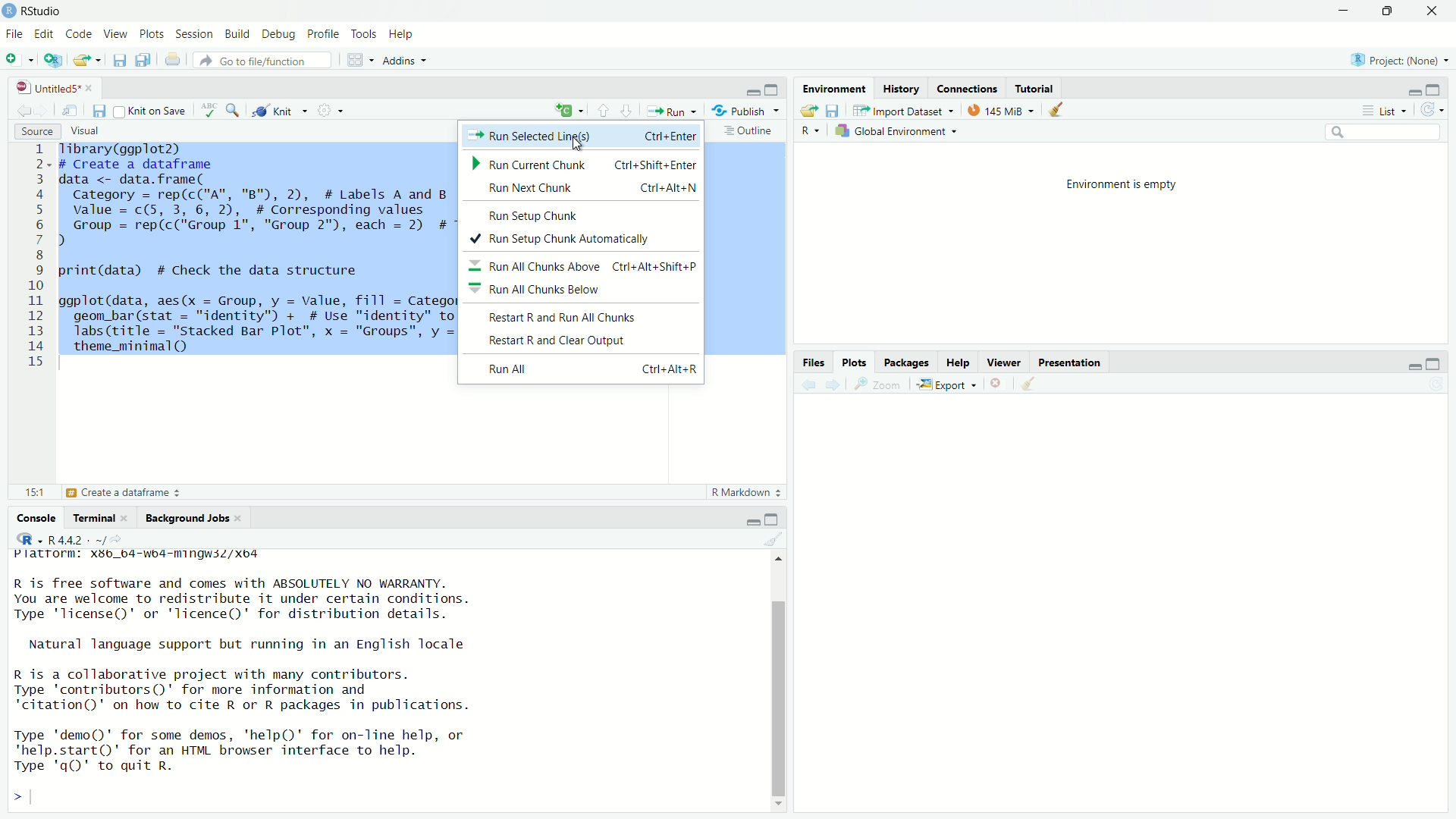 Image resolution: width=1456 pixels, height=819 pixels. Describe the element at coordinates (233, 108) in the screenshot. I see `Find/Replace` at that location.